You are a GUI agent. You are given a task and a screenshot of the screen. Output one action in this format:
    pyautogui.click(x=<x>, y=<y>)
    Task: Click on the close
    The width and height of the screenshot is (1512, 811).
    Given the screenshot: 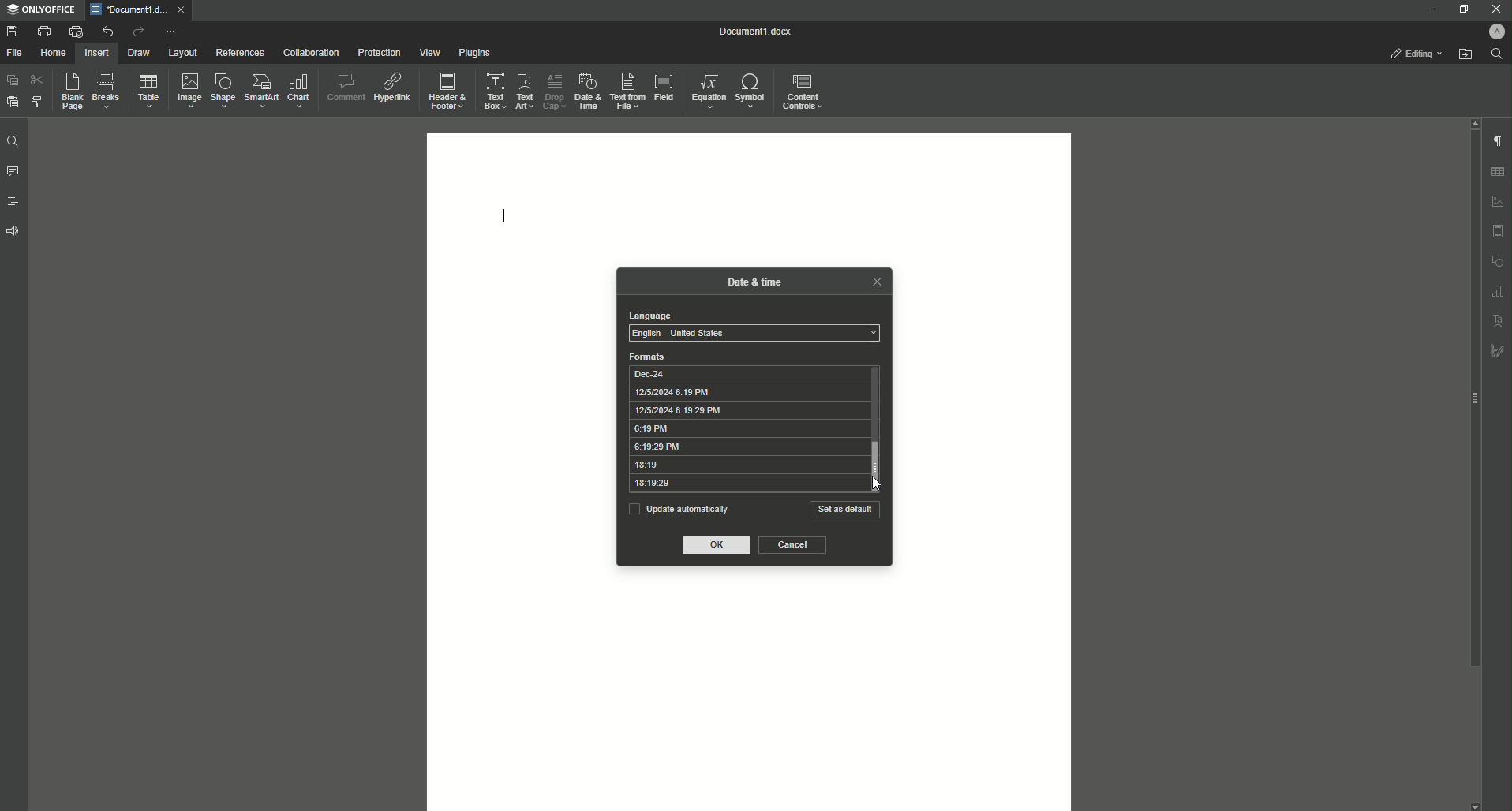 What is the action you would take?
    pyautogui.click(x=181, y=9)
    